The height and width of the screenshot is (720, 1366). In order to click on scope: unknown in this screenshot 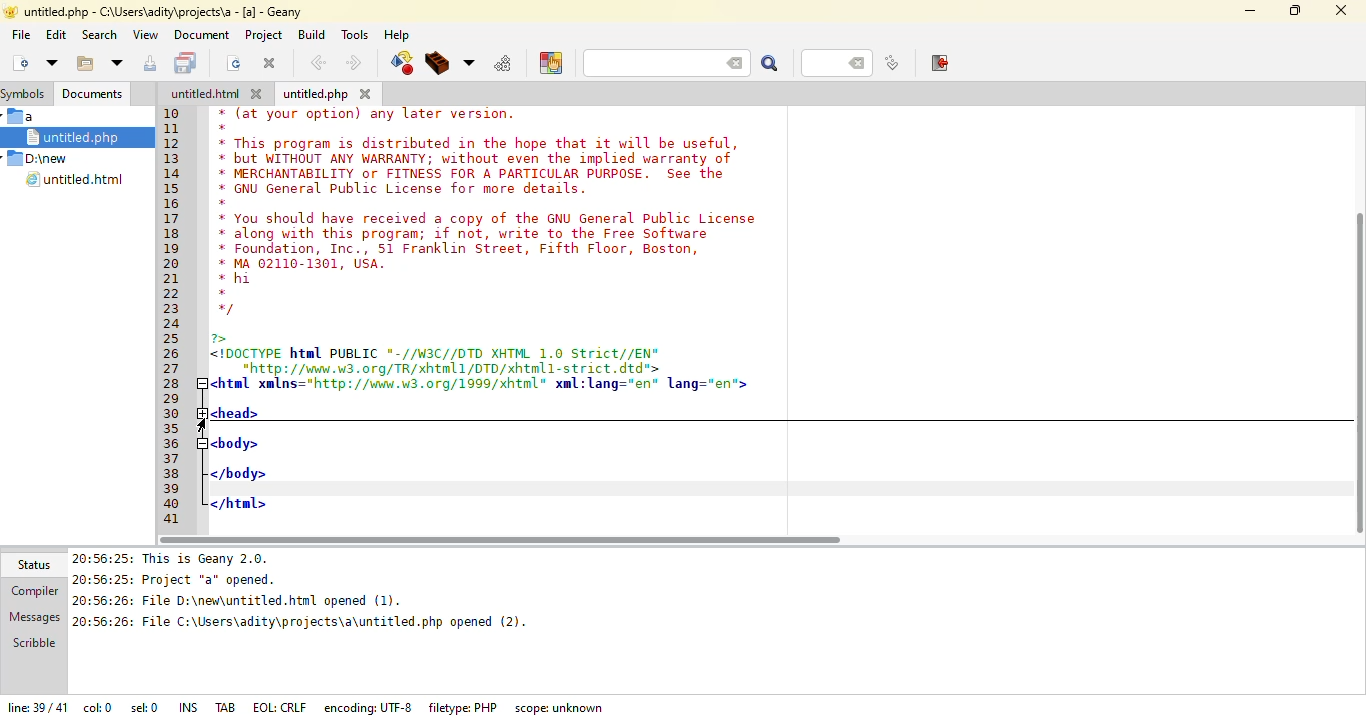, I will do `click(565, 709)`.